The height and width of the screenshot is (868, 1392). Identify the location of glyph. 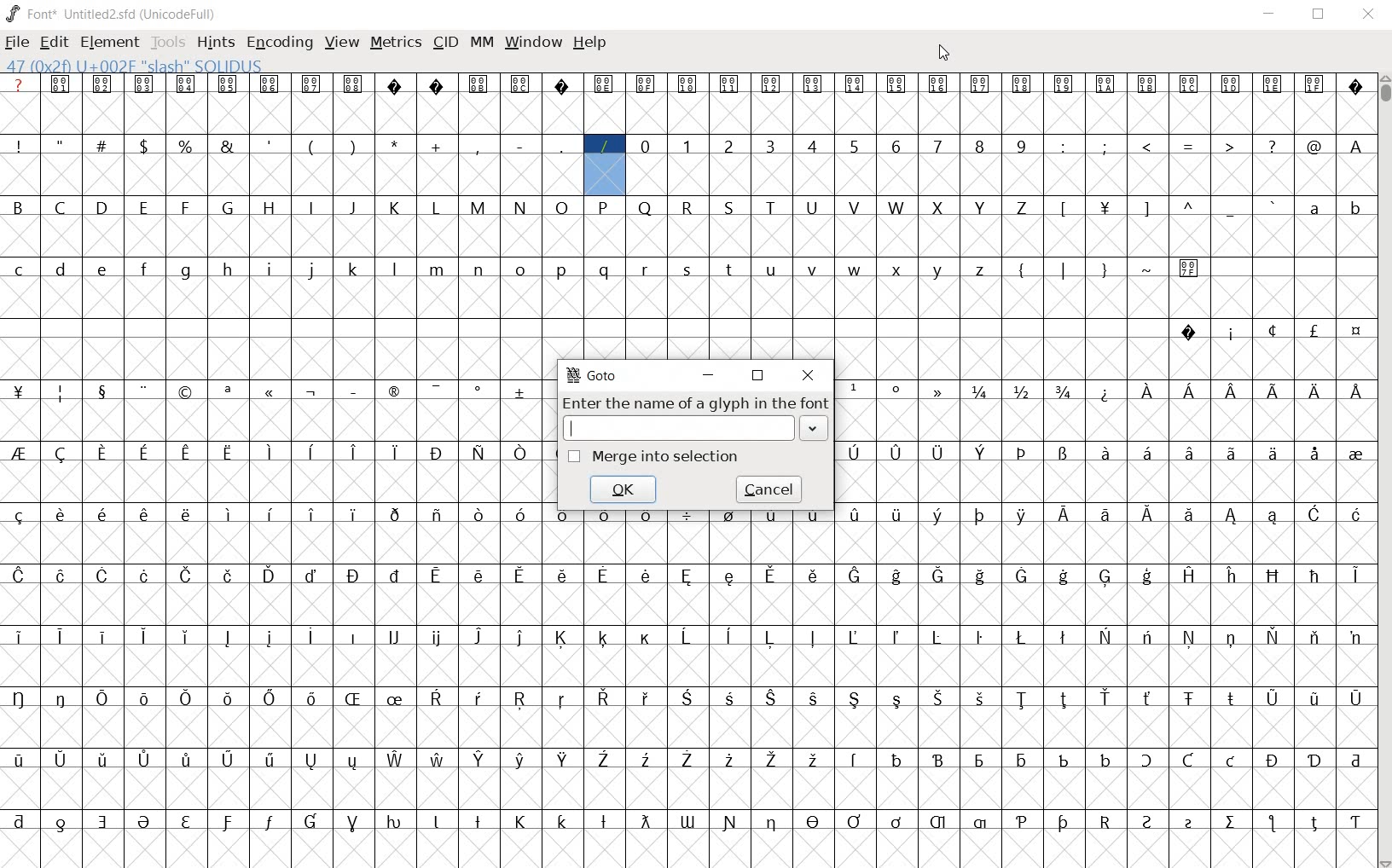
(1063, 637).